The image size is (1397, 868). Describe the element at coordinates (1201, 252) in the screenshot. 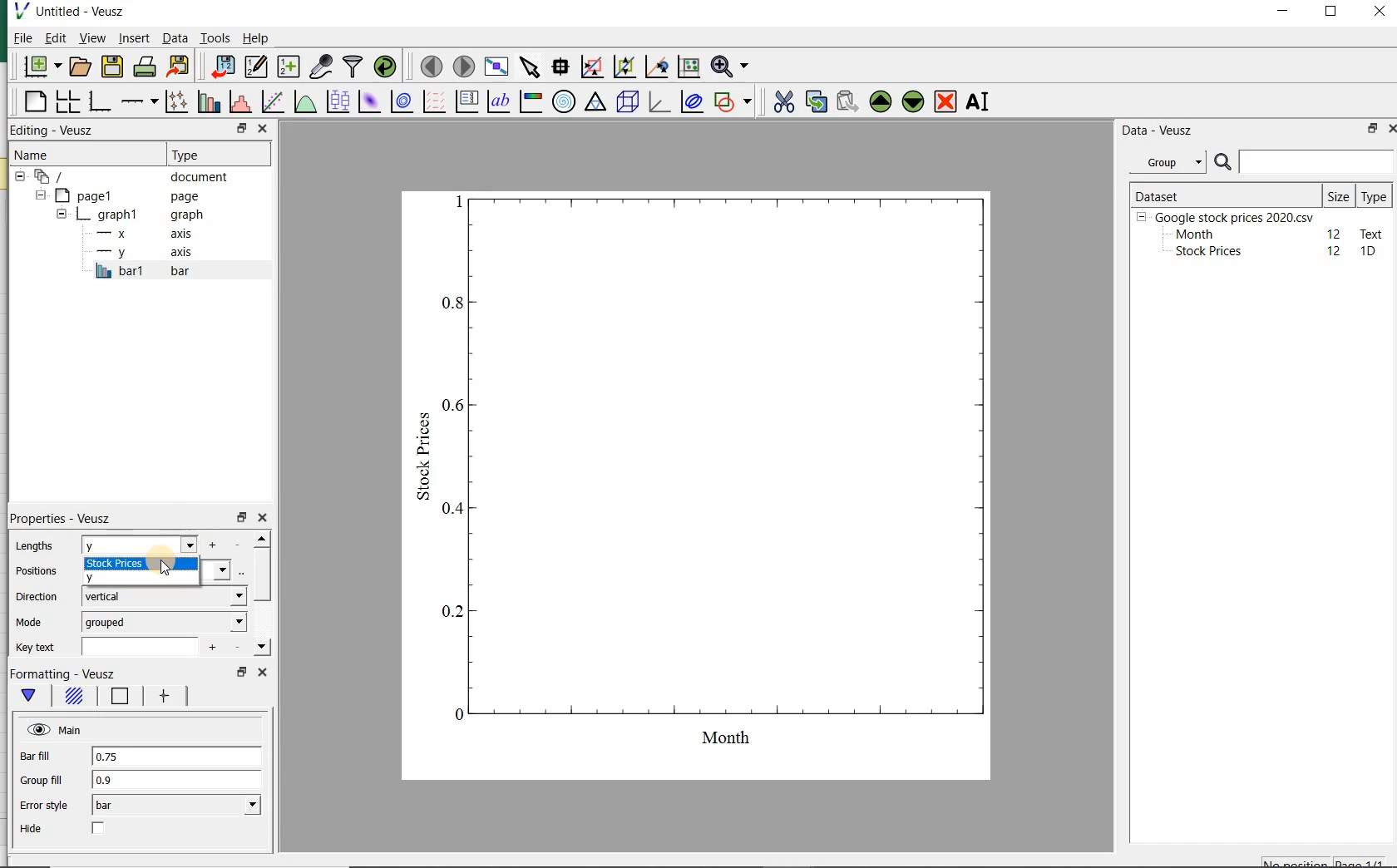

I see `Stock prices` at that location.